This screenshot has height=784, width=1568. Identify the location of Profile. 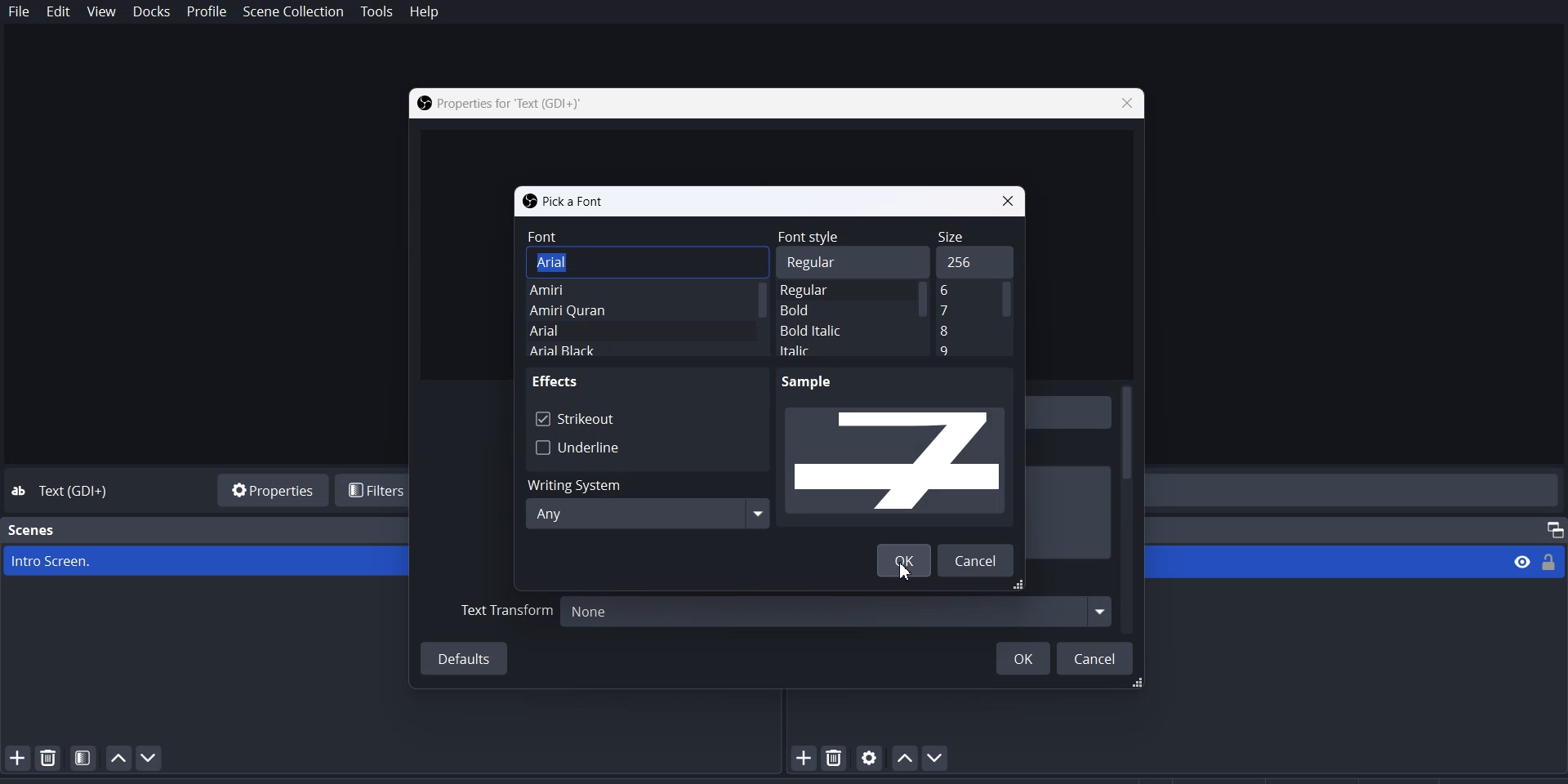
(207, 12).